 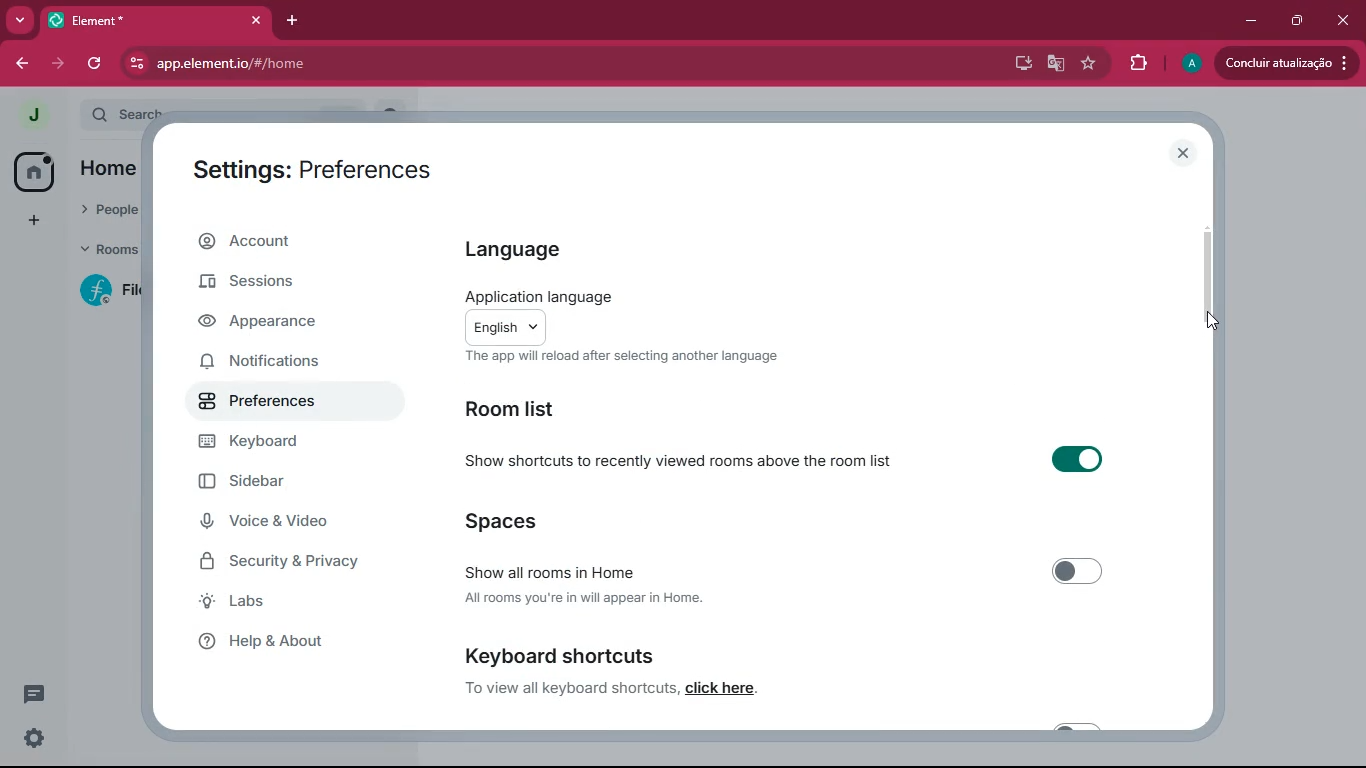 What do you see at coordinates (277, 359) in the screenshot?
I see `notifications` at bounding box center [277, 359].